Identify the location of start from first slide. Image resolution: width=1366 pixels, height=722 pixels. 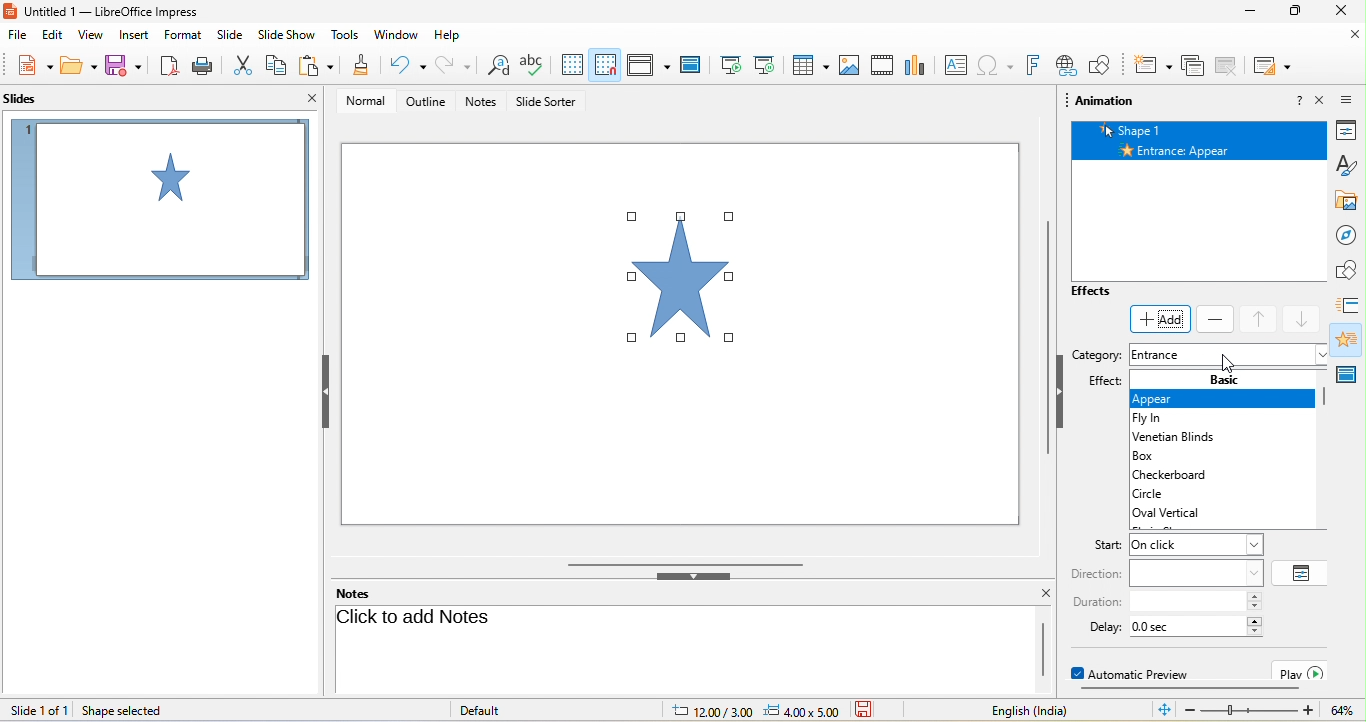
(728, 65).